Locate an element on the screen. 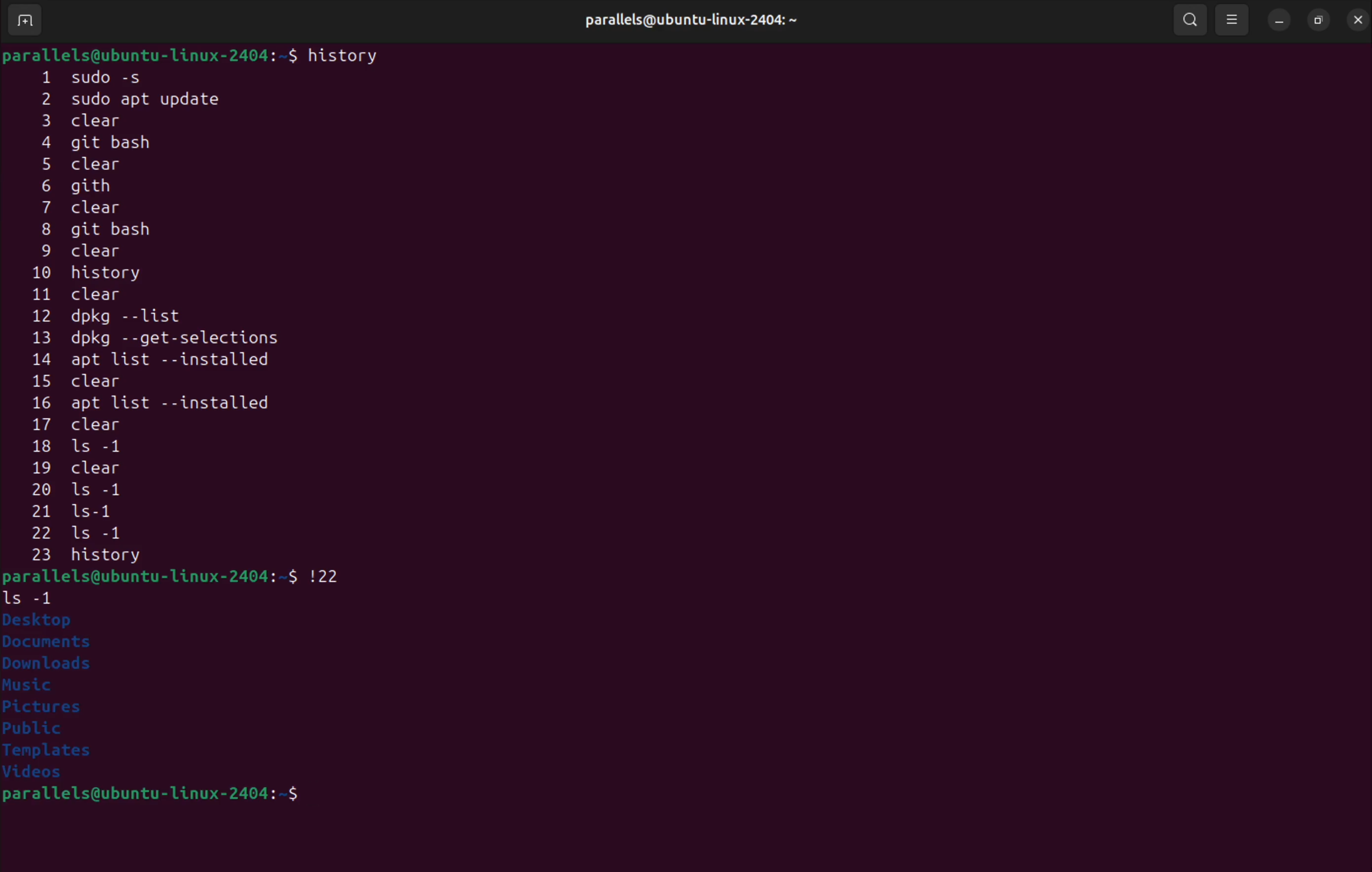  minimize is located at coordinates (1279, 18).